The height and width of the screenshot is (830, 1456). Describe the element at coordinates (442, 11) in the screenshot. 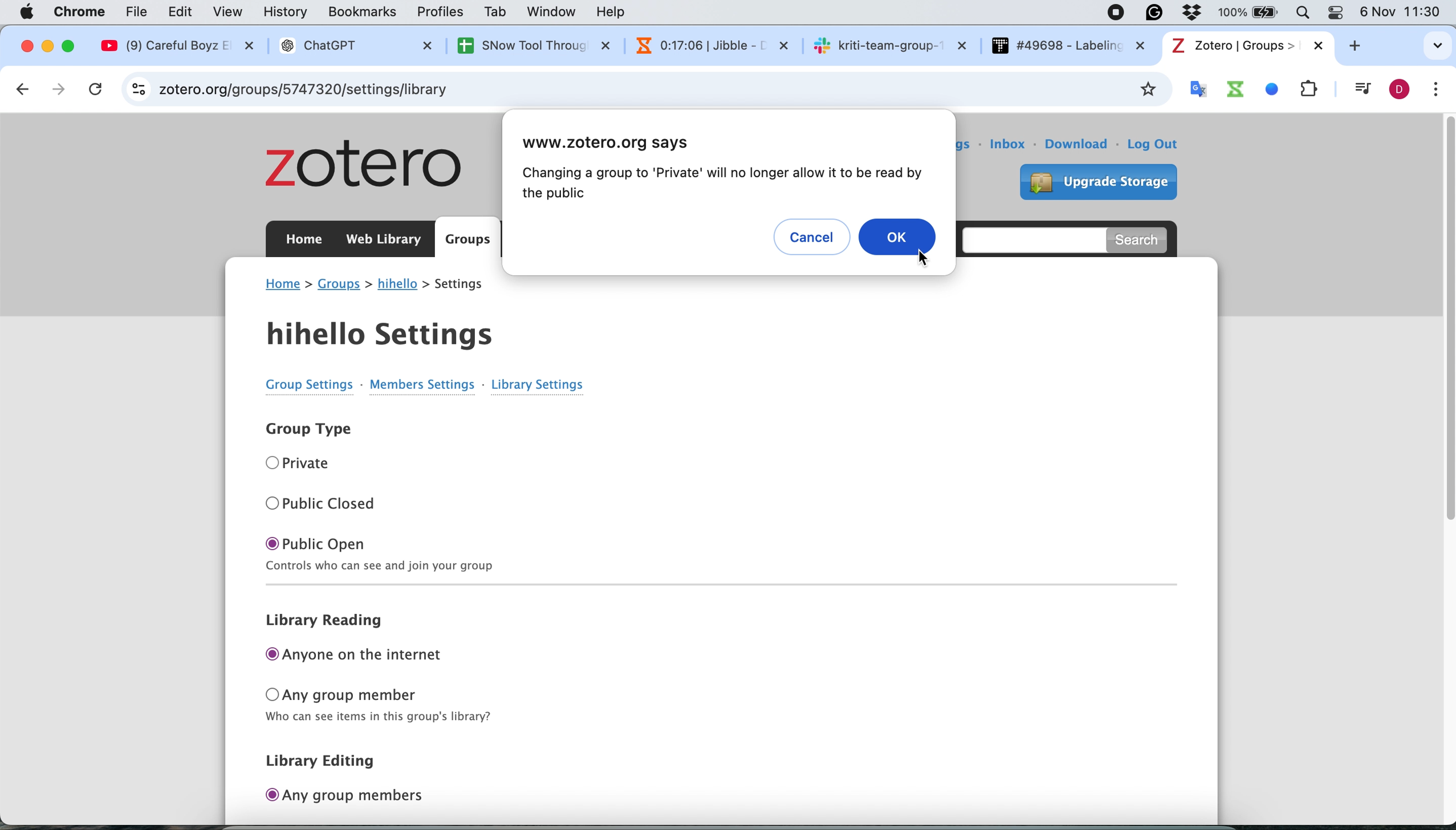

I see `profiles` at that location.